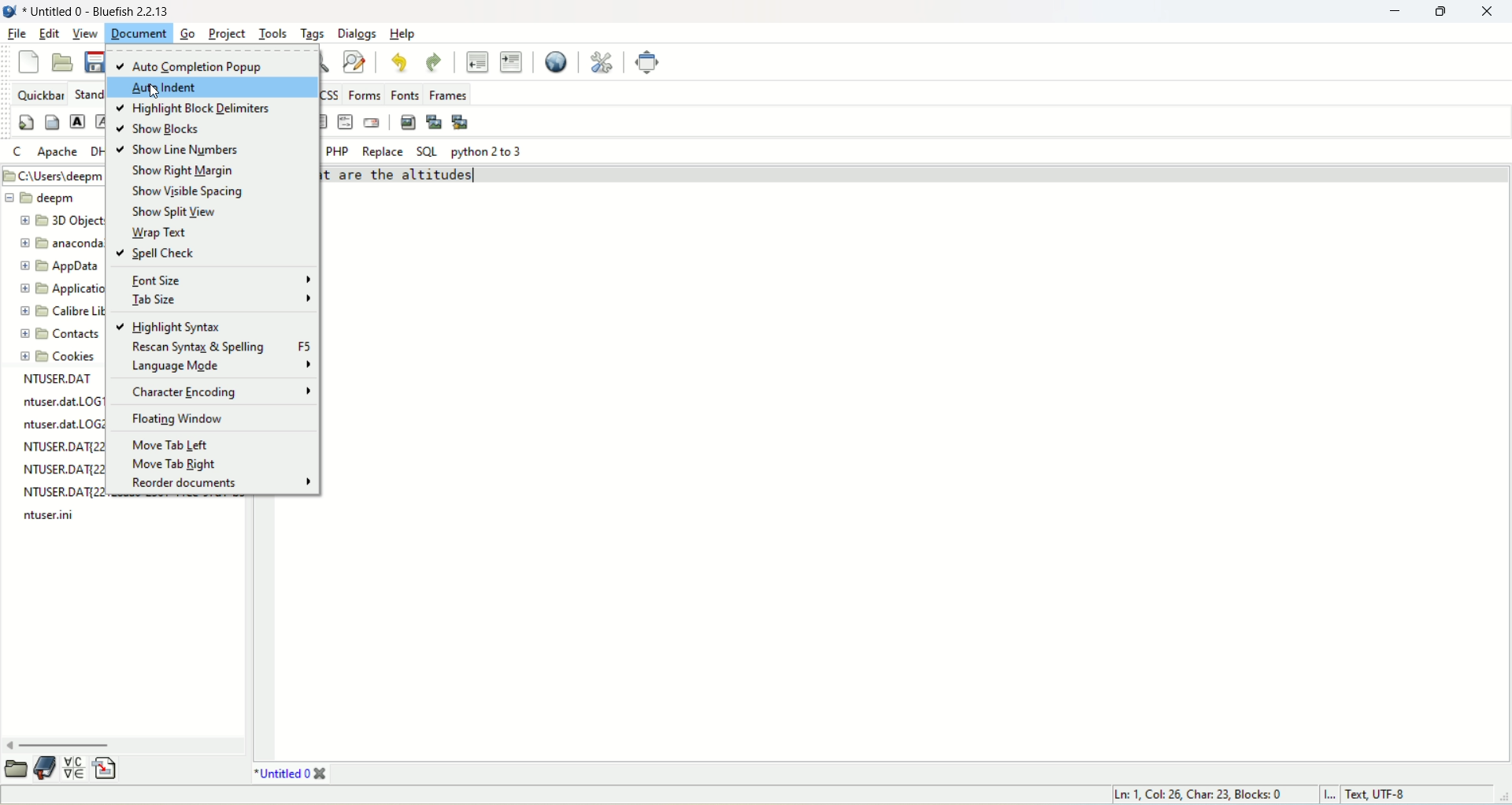  Describe the element at coordinates (109, 768) in the screenshot. I see `insert file` at that location.